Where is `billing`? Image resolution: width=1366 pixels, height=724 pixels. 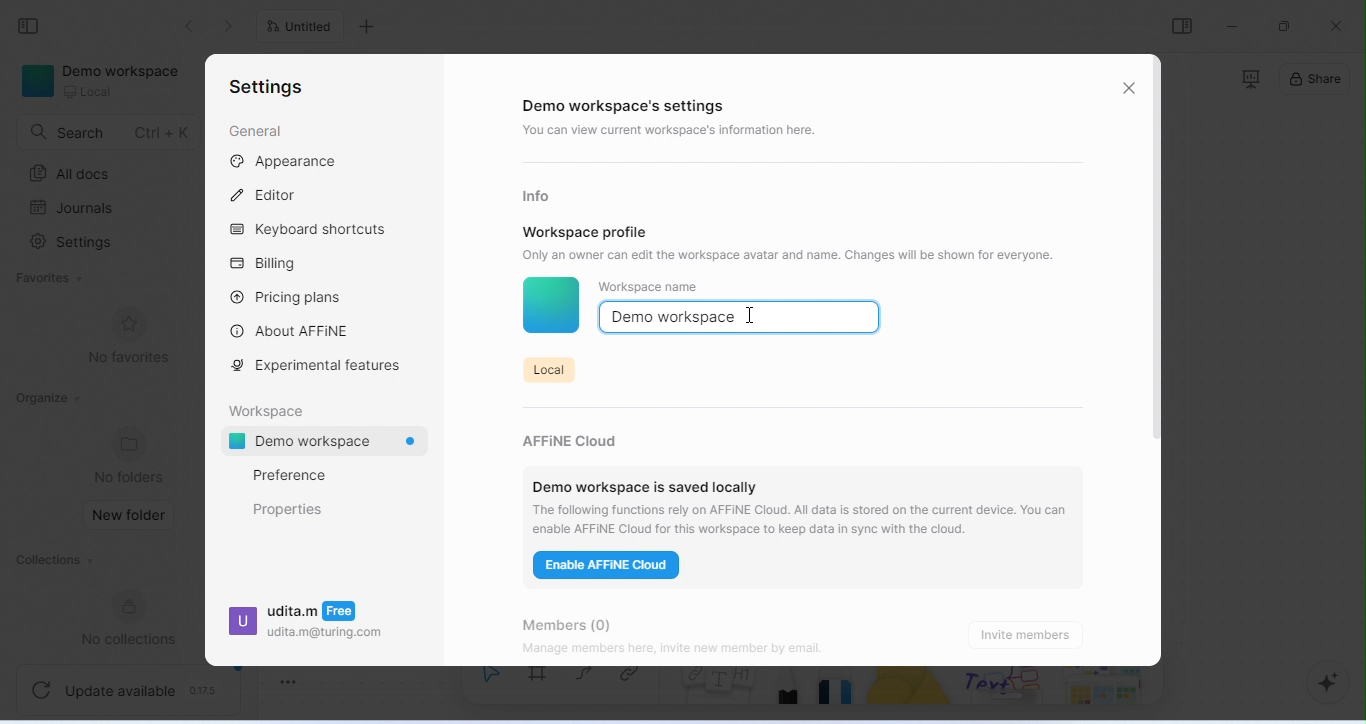
billing is located at coordinates (269, 264).